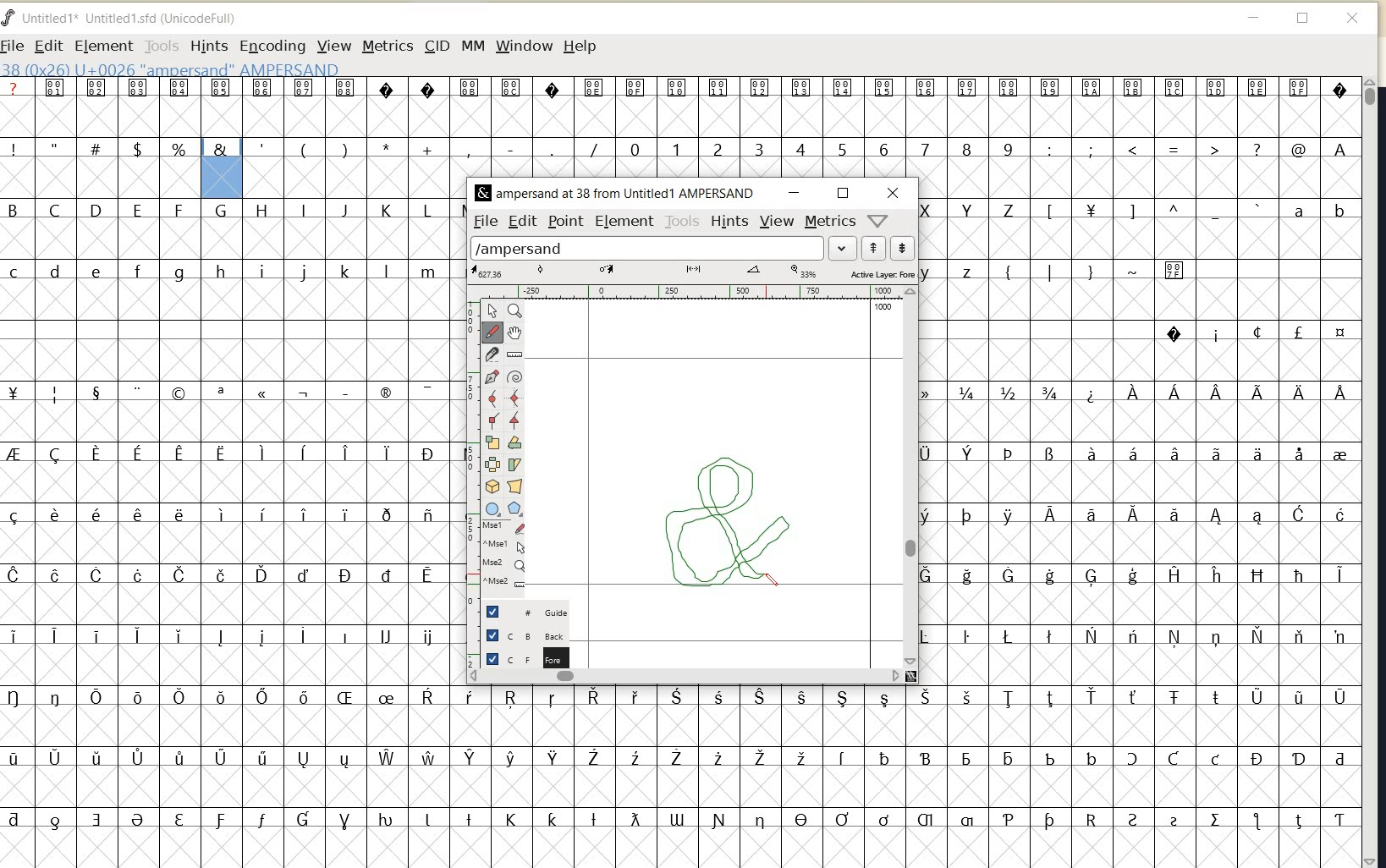  What do you see at coordinates (521, 657) in the screenshot?
I see `FOREGROUND` at bounding box center [521, 657].